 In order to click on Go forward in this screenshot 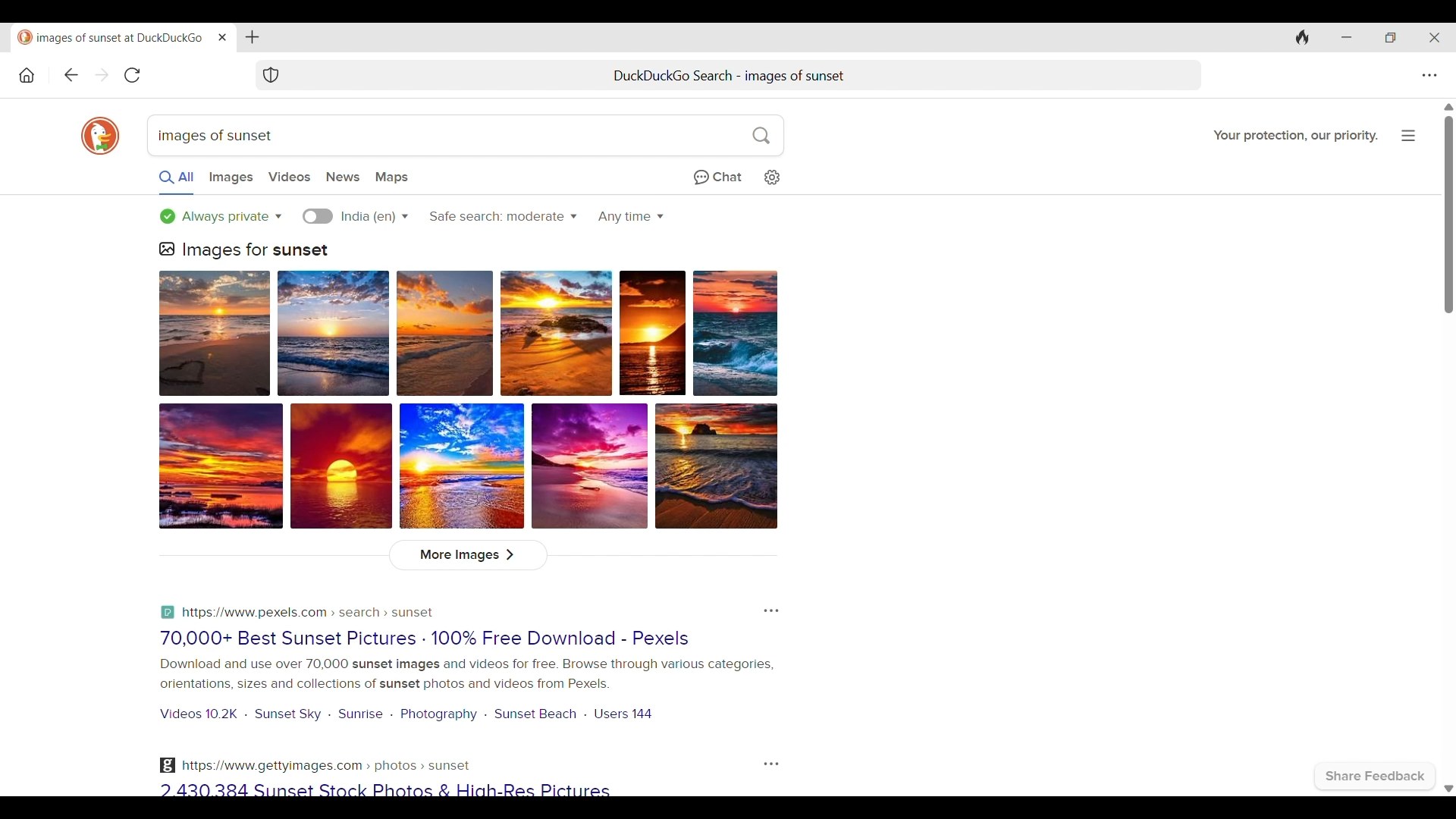, I will do `click(102, 74)`.